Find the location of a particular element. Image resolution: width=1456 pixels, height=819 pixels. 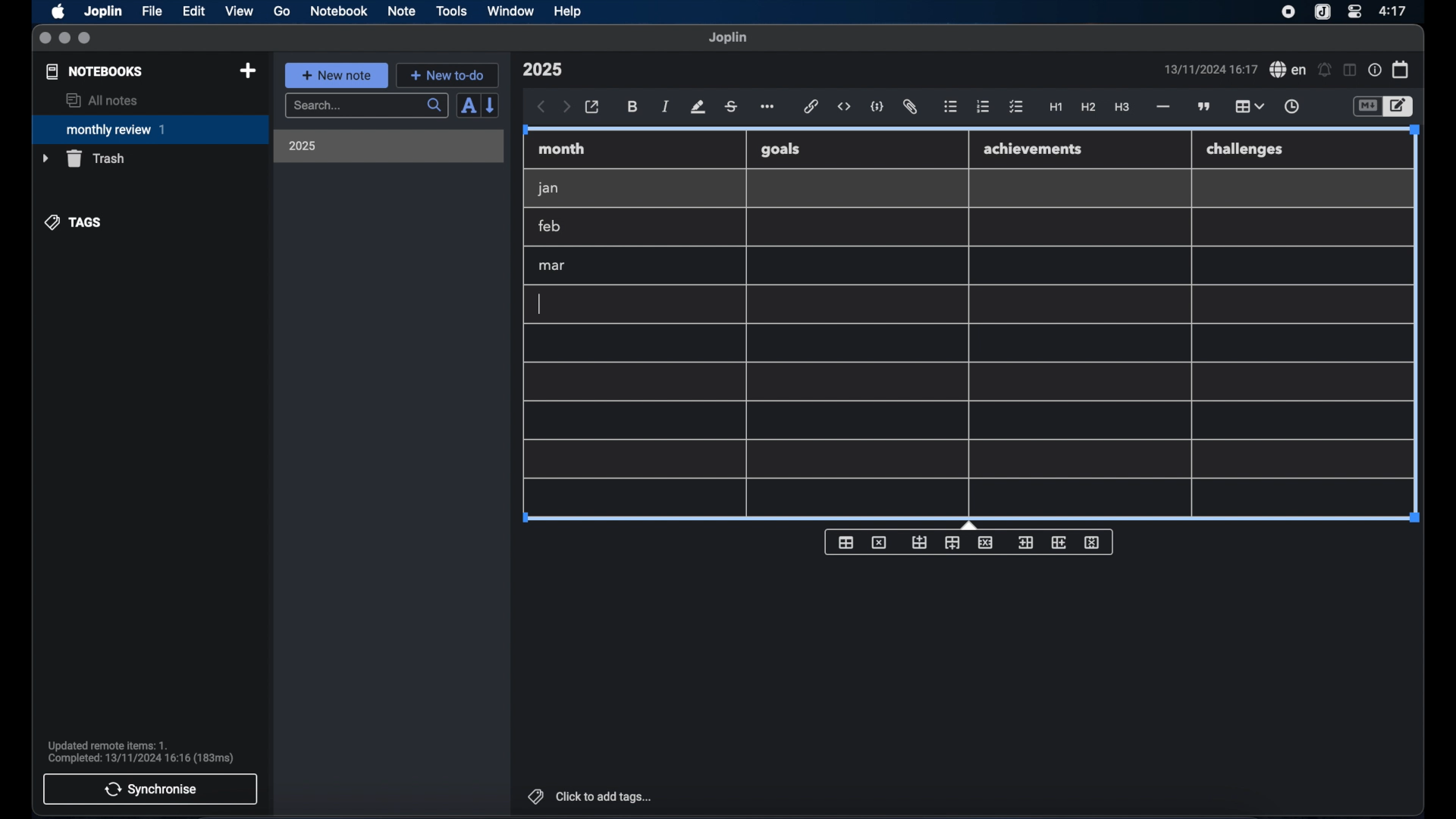

heading 3 is located at coordinates (1122, 108).